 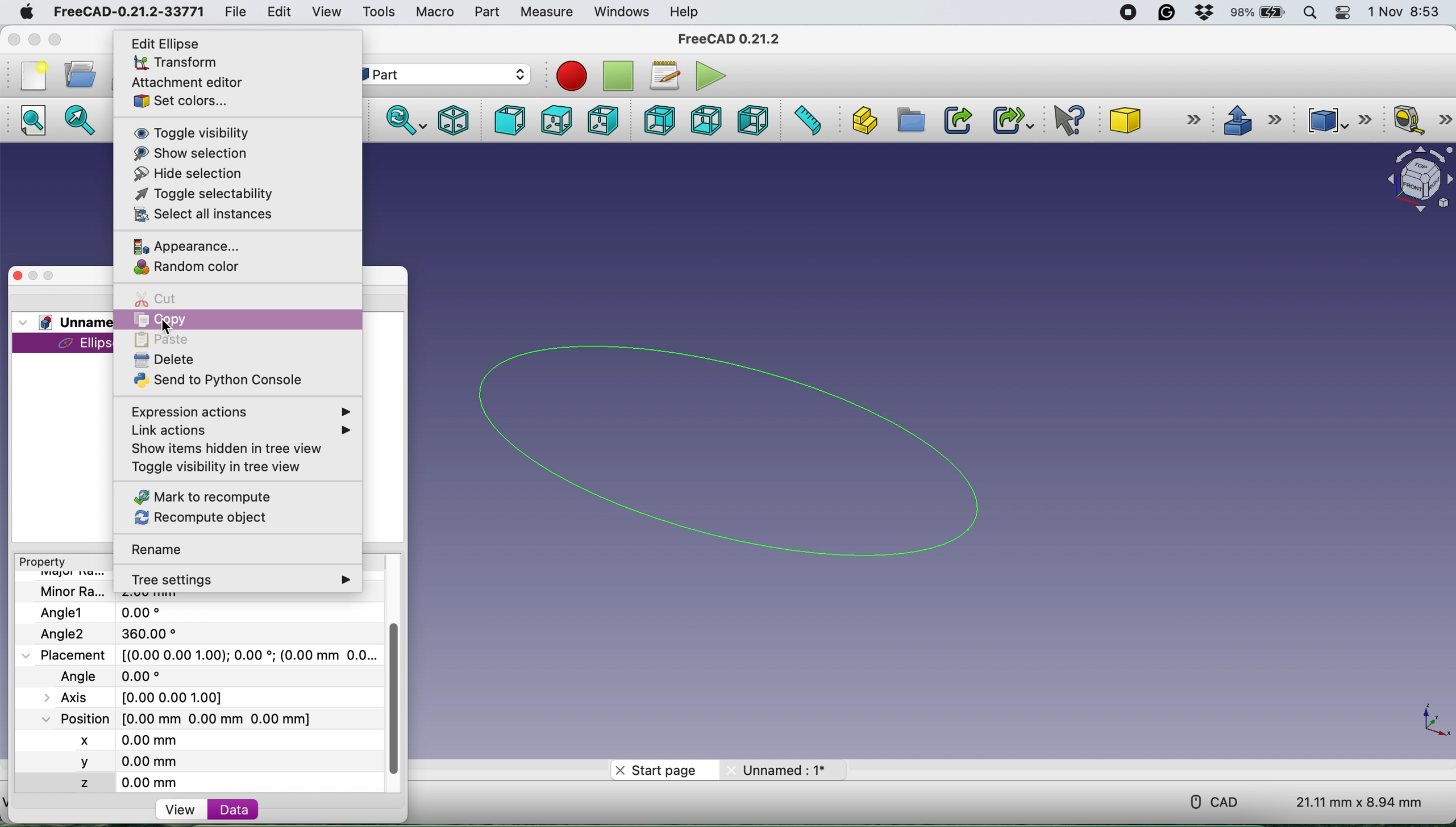 What do you see at coordinates (210, 655) in the screenshot?
I see `placement` at bounding box center [210, 655].